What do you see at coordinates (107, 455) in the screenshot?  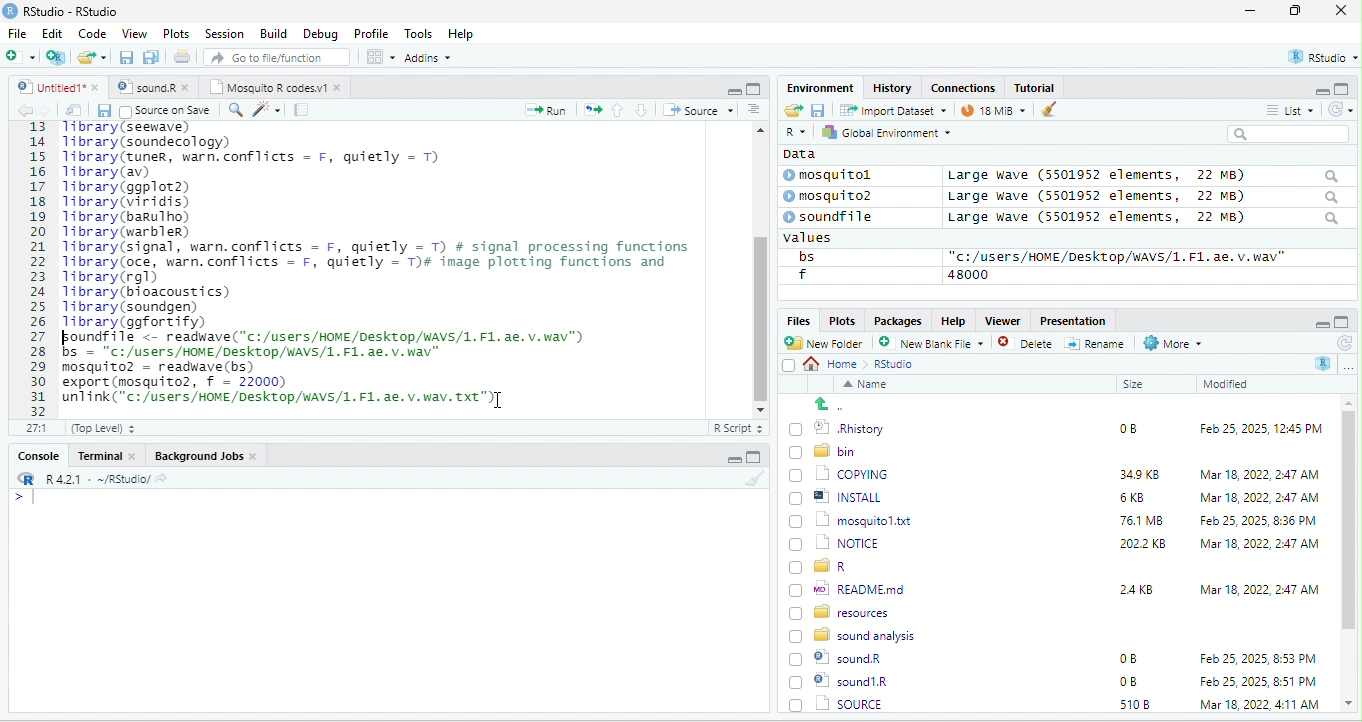 I see `Terminal` at bounding box center [107, 455].